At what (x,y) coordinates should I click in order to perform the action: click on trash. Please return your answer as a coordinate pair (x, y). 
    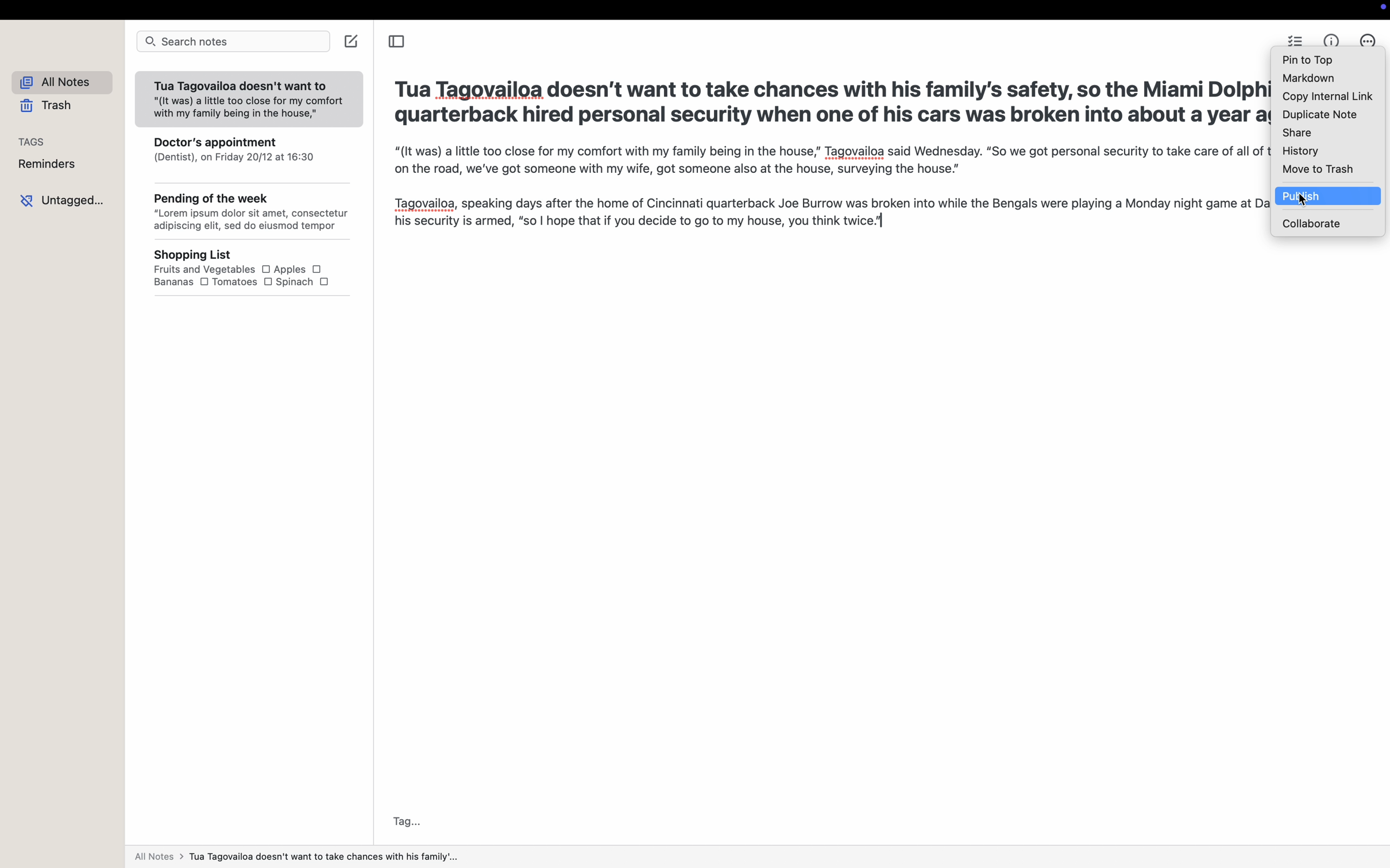
    Looking at the image, I should click on (49, 107).